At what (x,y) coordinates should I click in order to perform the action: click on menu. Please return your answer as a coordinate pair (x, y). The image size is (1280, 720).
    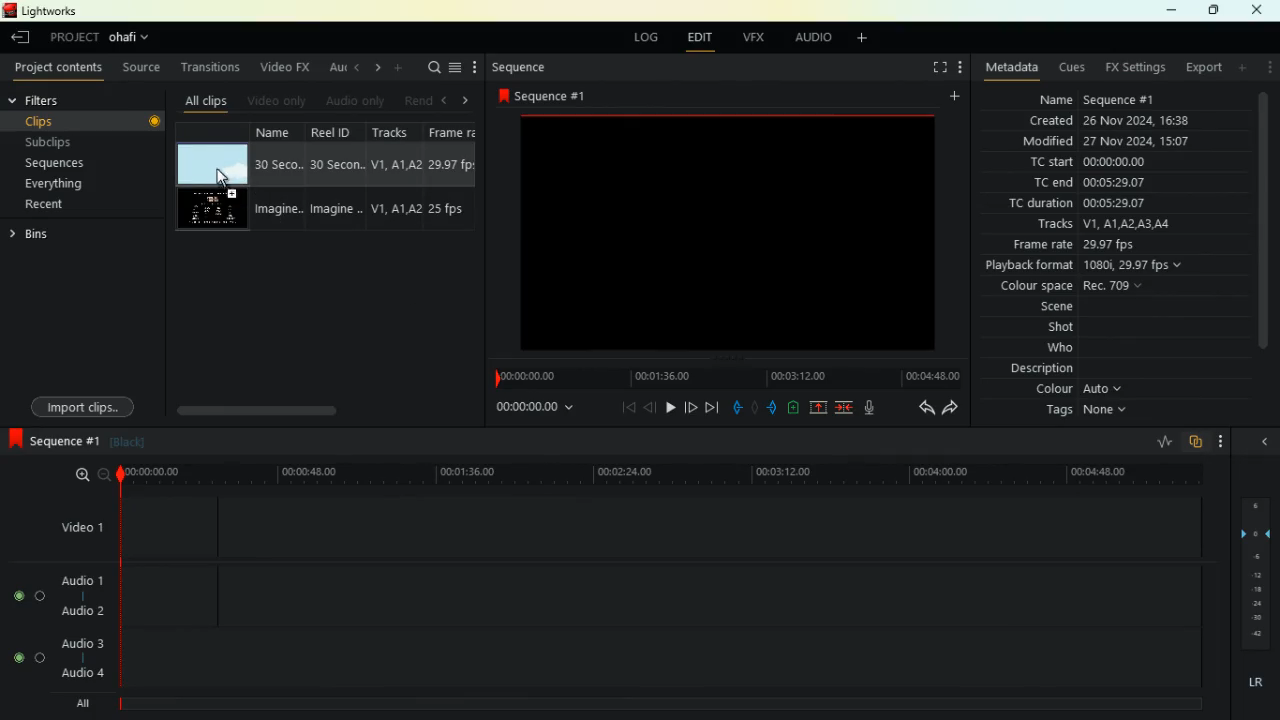
    Looking at the image, I should click on (1226, 440).